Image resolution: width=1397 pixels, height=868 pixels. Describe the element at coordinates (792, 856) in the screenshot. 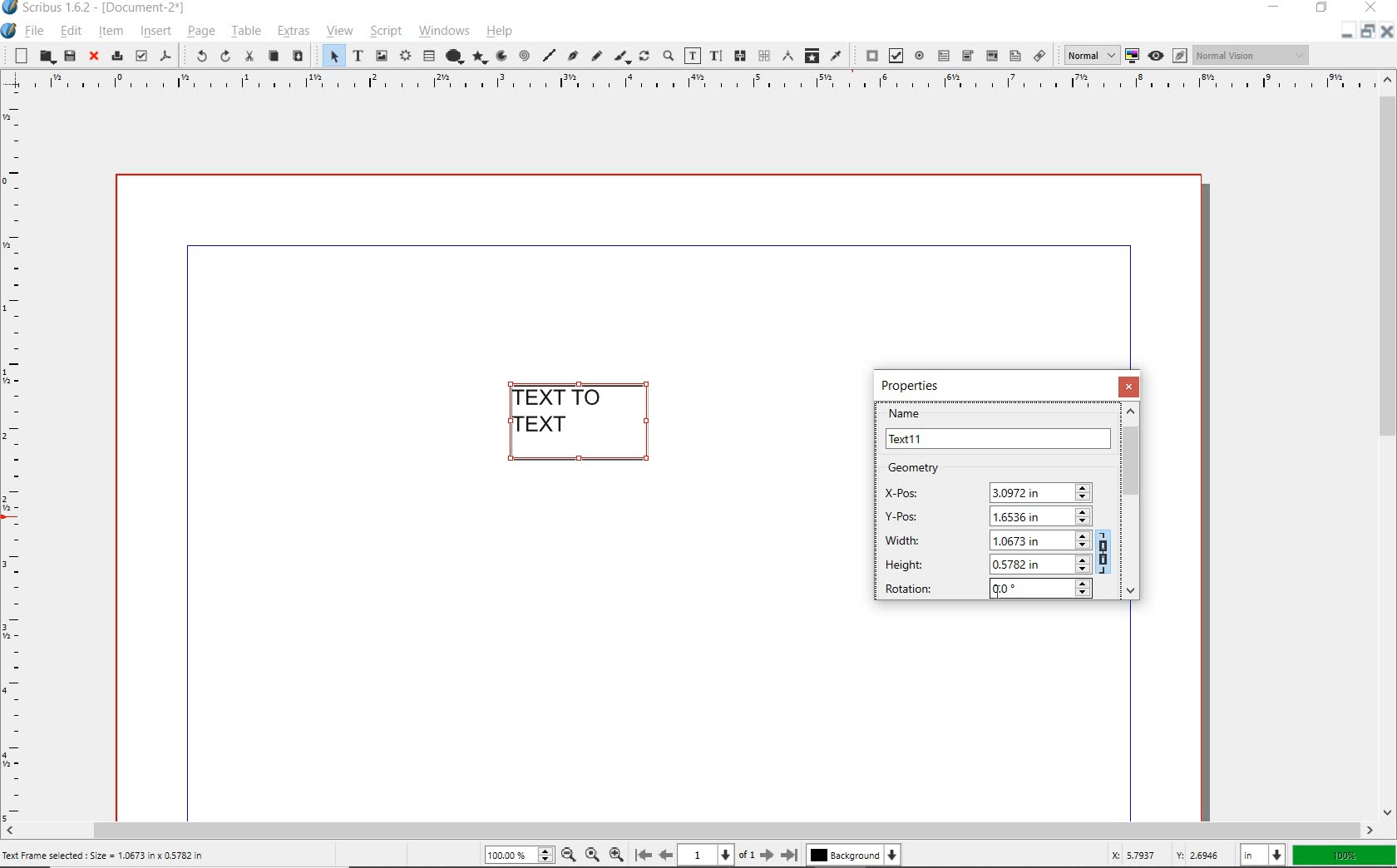

I see `move to last` at that location.